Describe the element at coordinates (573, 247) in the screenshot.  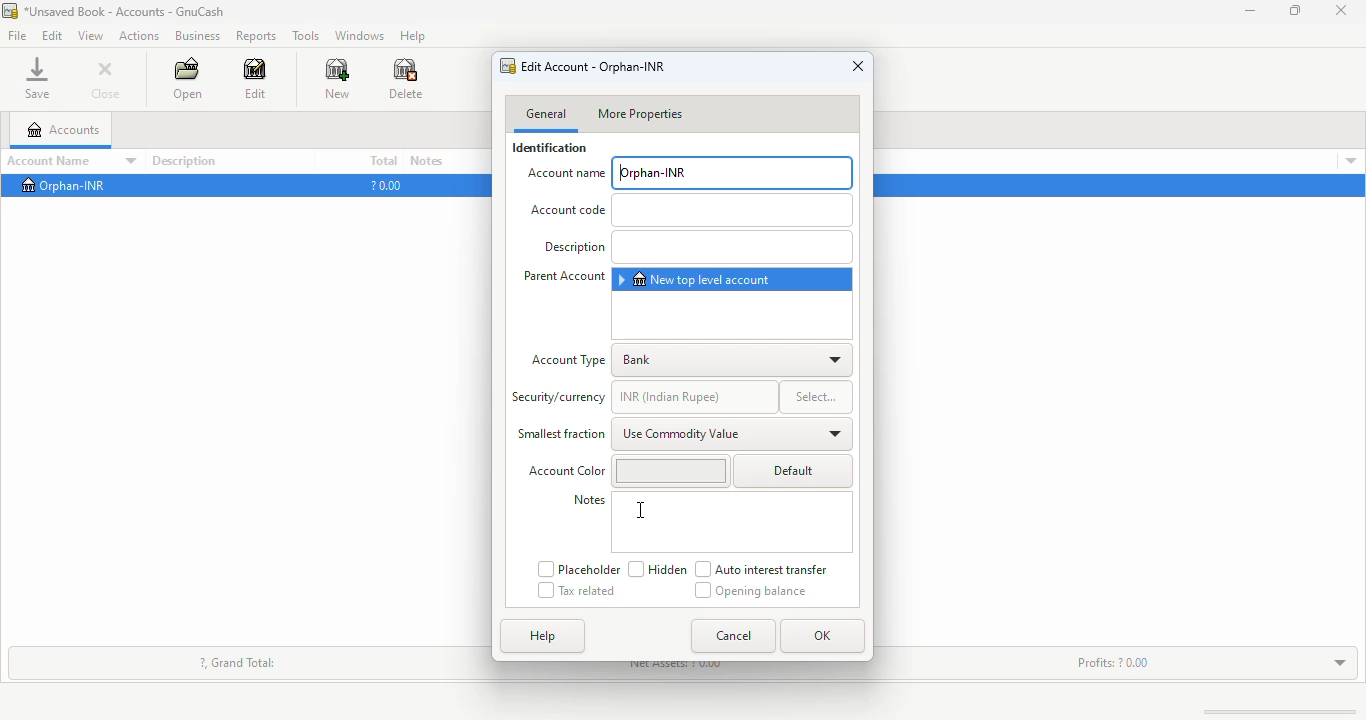
I see `Description` at that location.